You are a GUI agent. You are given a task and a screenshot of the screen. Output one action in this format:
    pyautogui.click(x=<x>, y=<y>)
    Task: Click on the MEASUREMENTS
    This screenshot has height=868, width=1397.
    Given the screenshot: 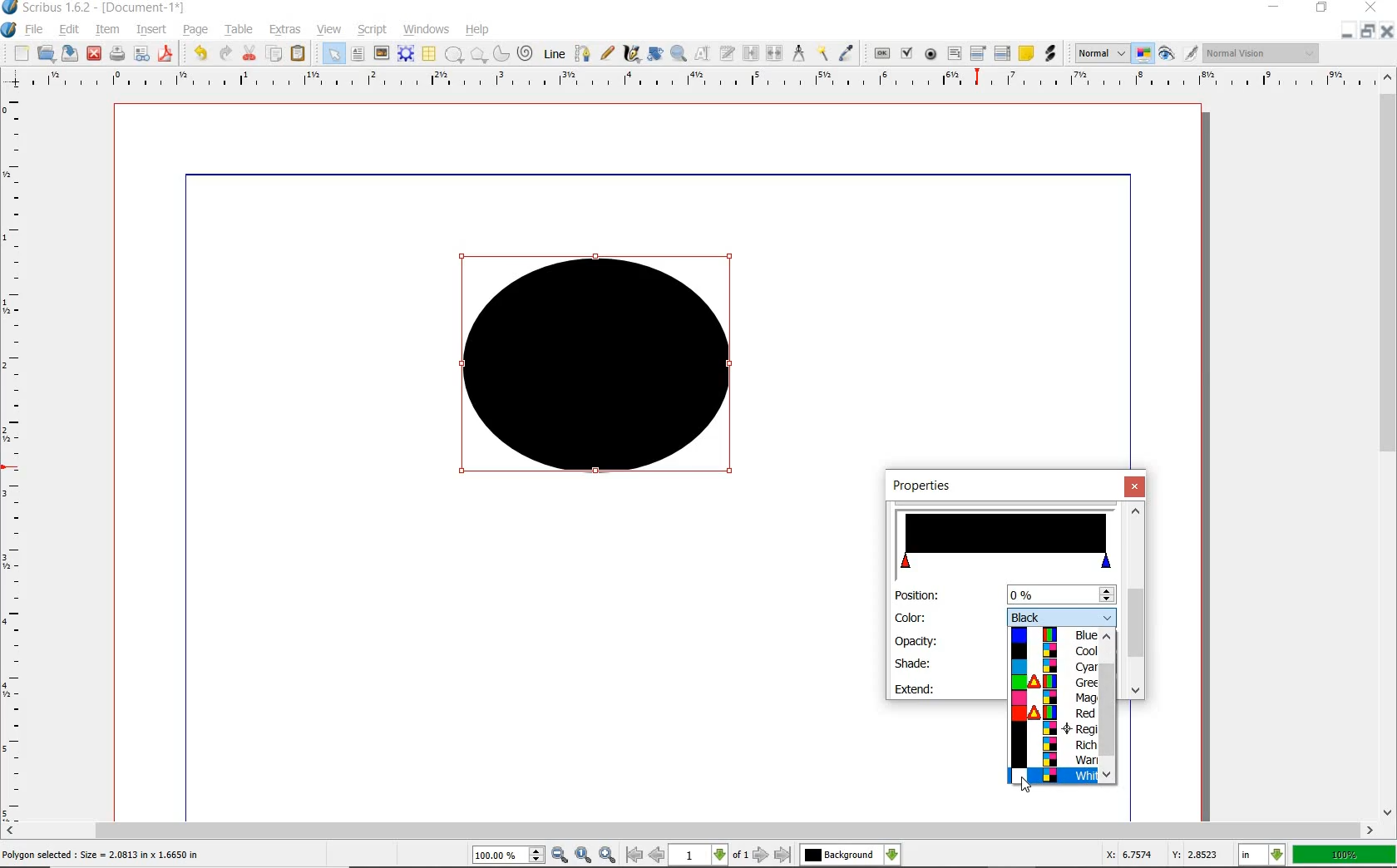 What is the action you would take?
    pyautogui.click(x=798, y=54)
    